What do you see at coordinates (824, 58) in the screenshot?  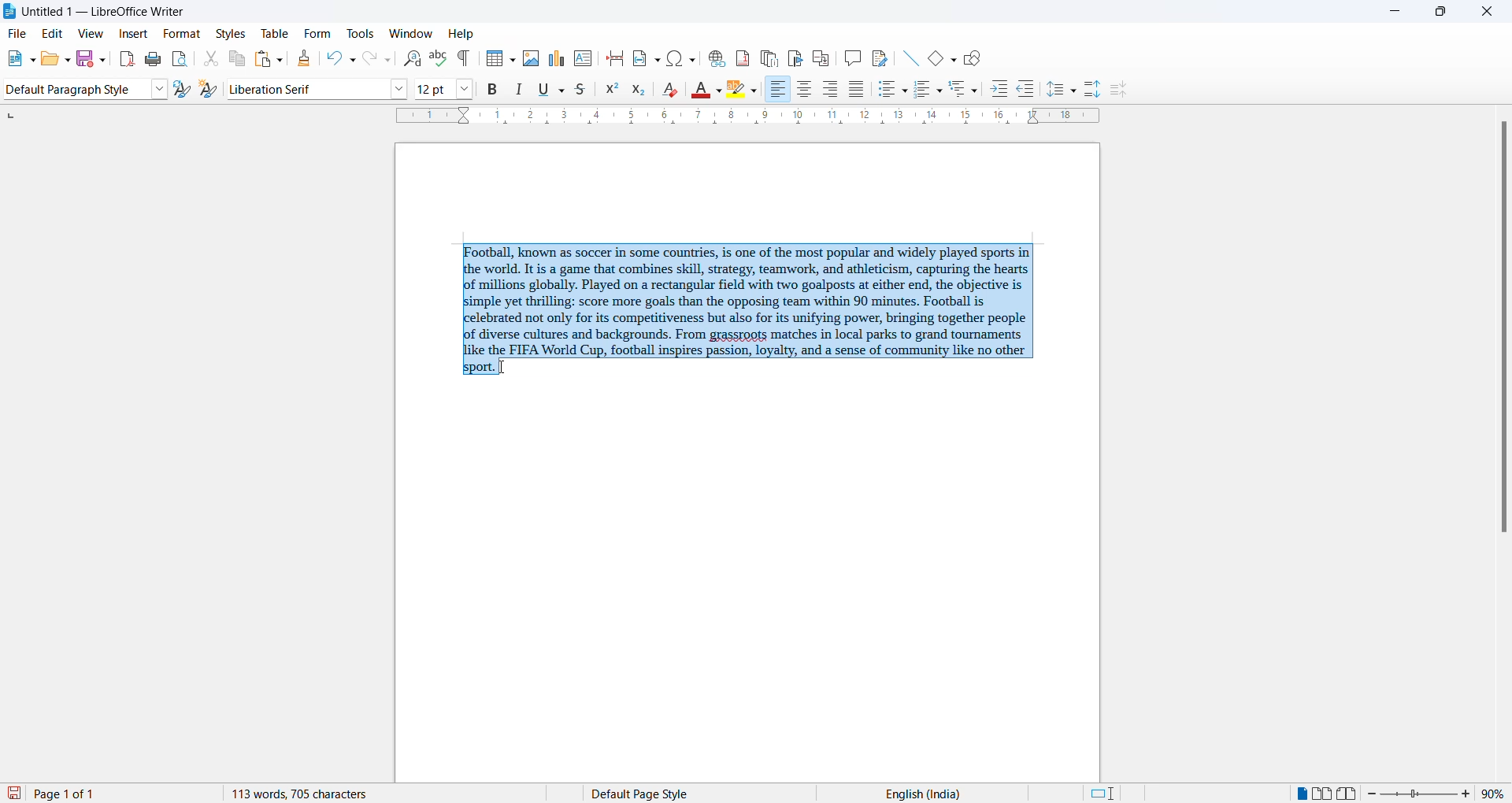 I see `insert cross-reference` at bounding box center [824, 58].